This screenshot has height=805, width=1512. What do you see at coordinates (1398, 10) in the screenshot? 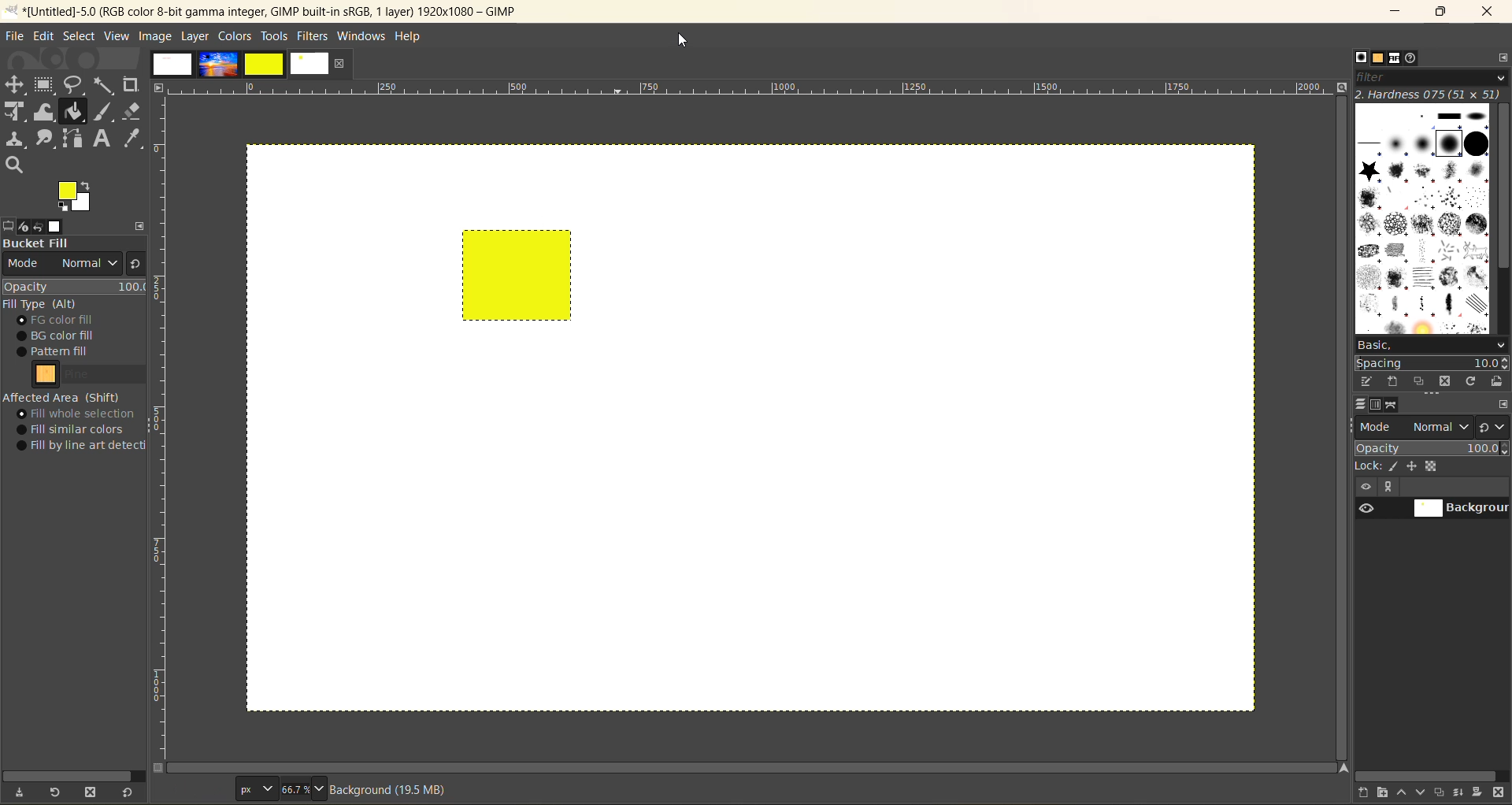
I see `minimize` at bounding box center [1398, 10].